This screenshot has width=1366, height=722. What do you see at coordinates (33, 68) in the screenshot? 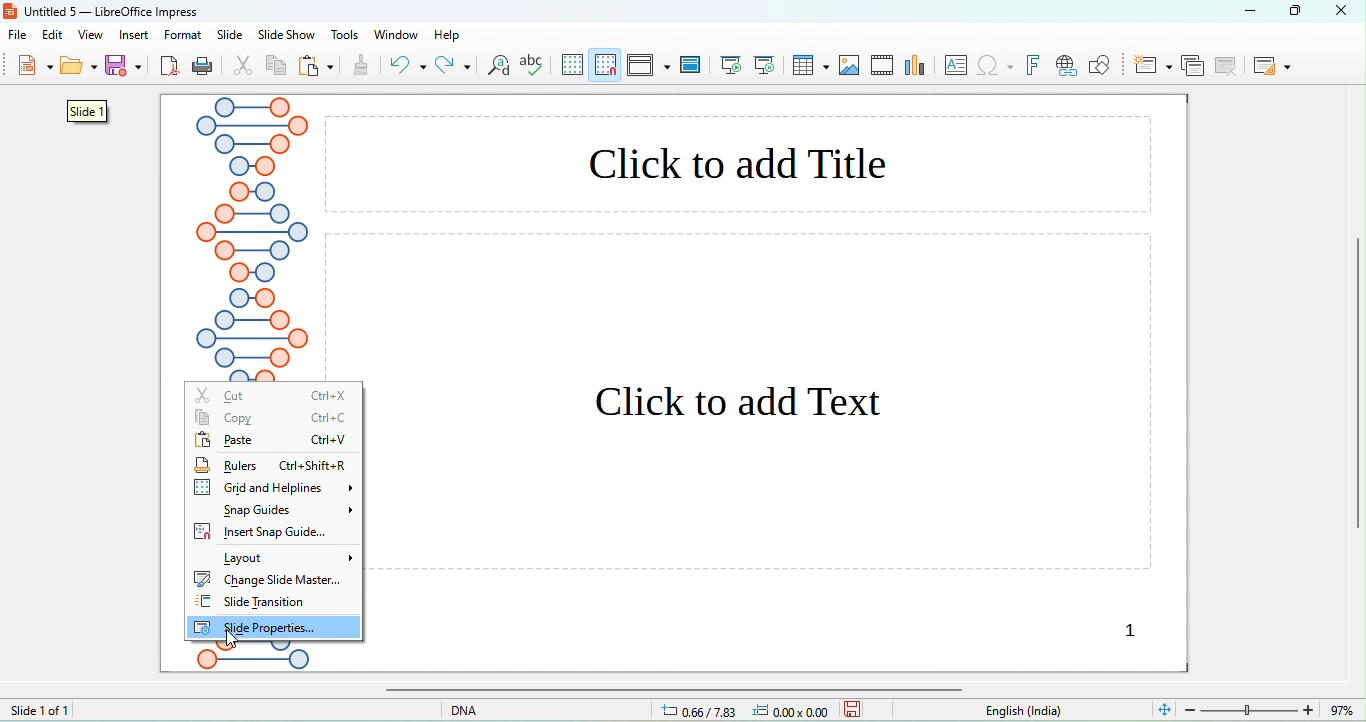
I see `new` at bounding box center [33, 68].